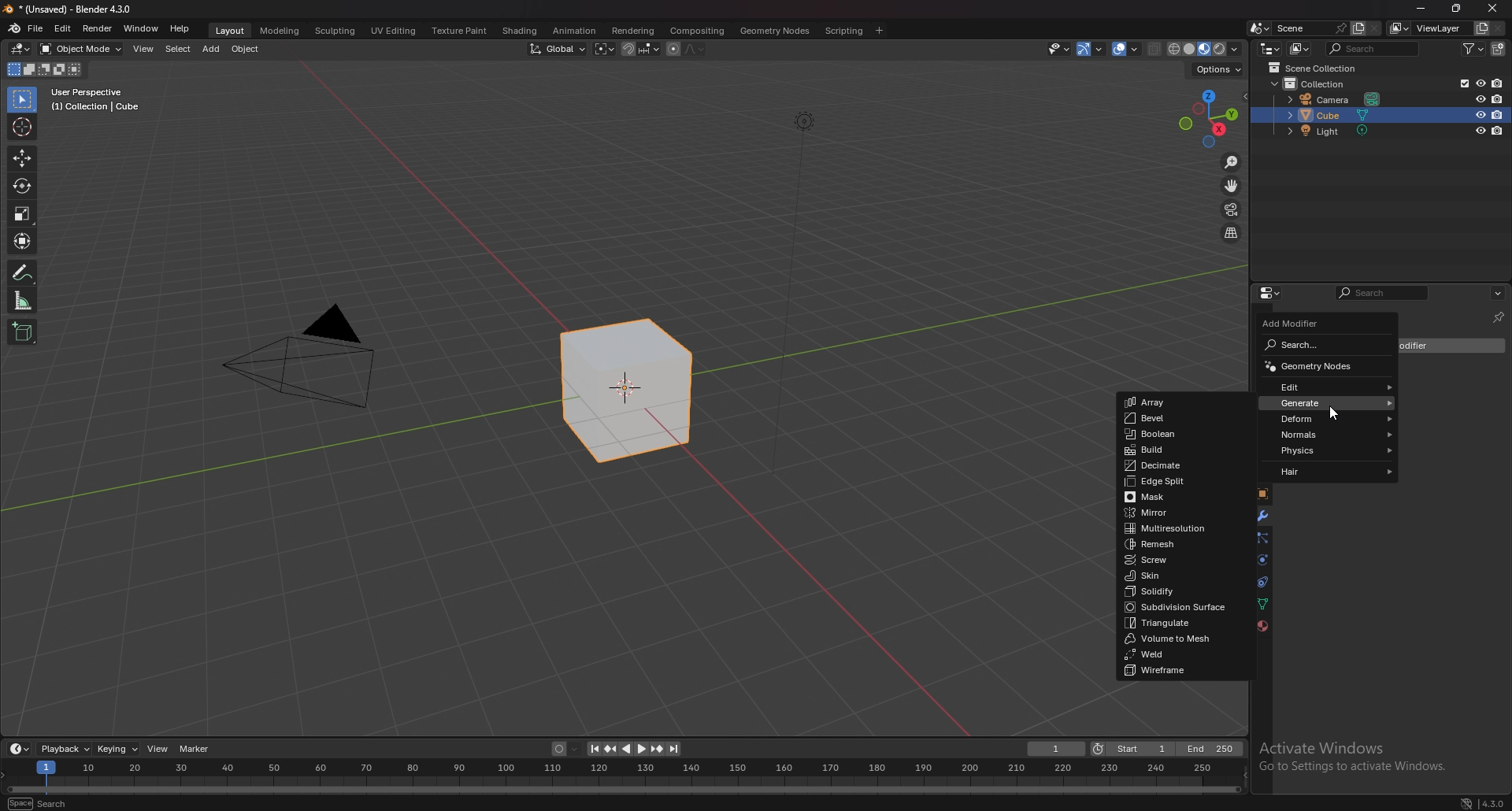  What do you see at coordinates (1178, 498) in the screenshot?
I see `mask` at bounding box center [1178, 498].